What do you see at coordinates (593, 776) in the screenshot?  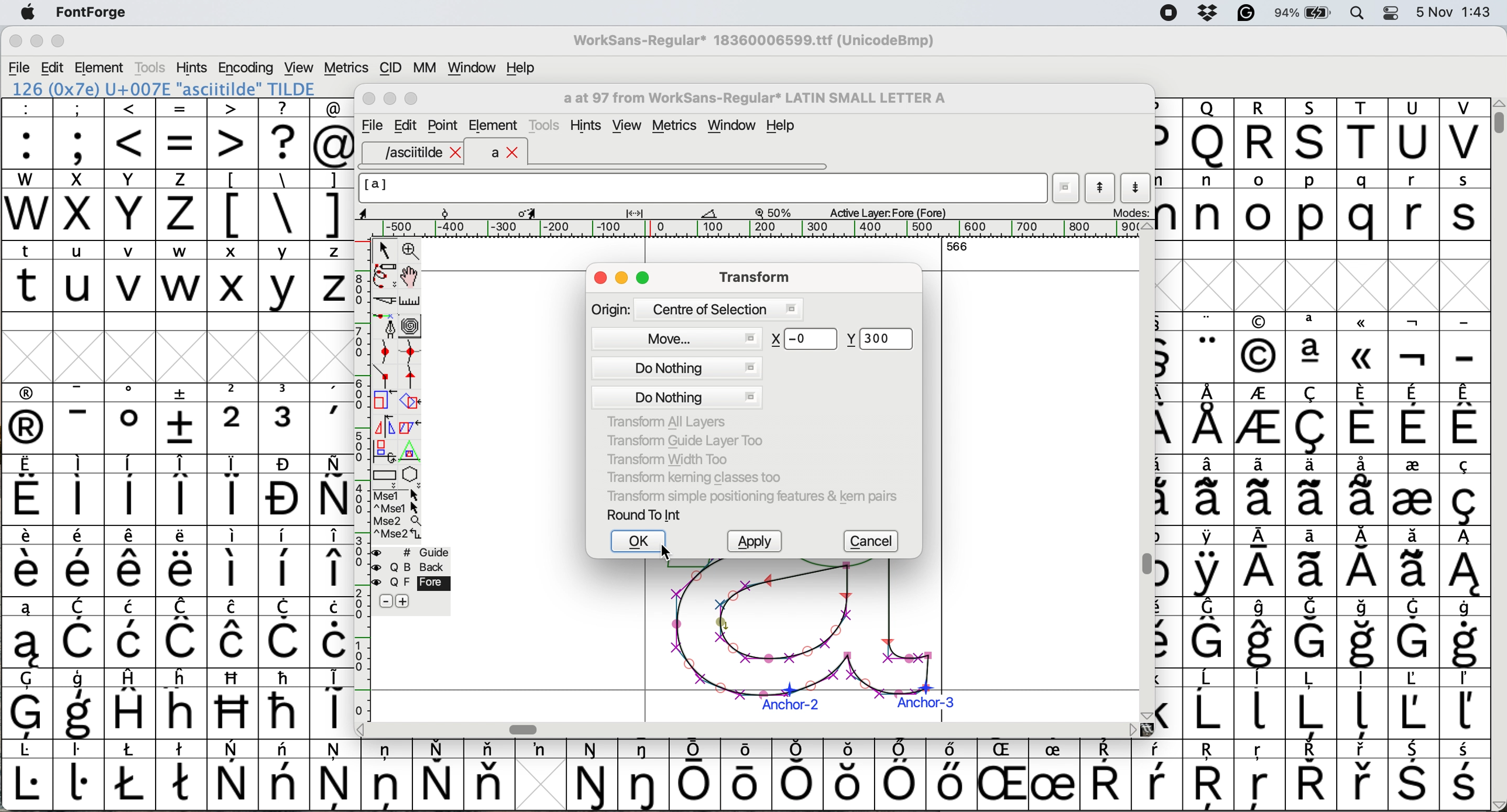 I see `symbol` at bounding box center [593, 776].